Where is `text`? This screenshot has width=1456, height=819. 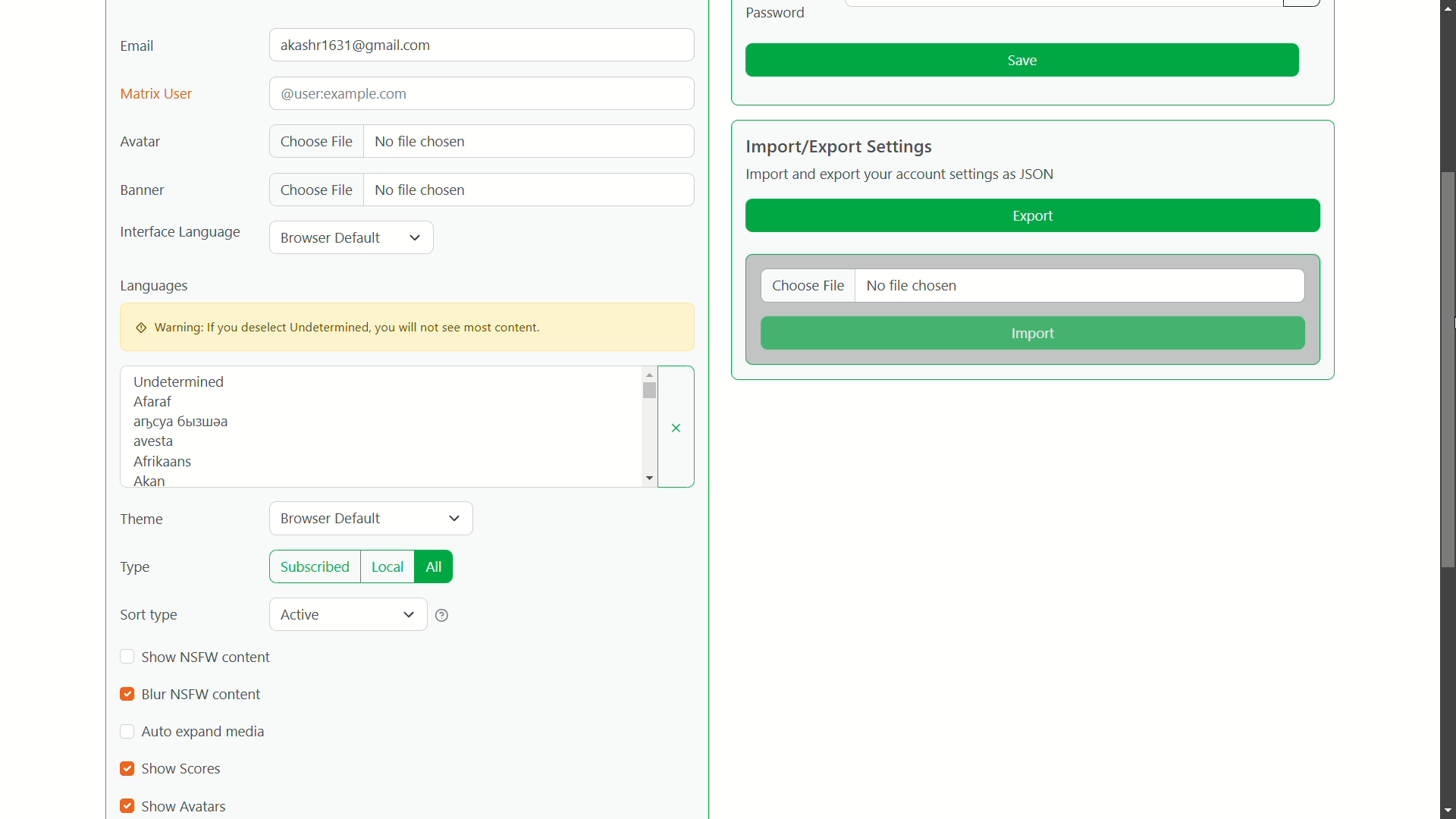 text is located at coordinates (181, 422).